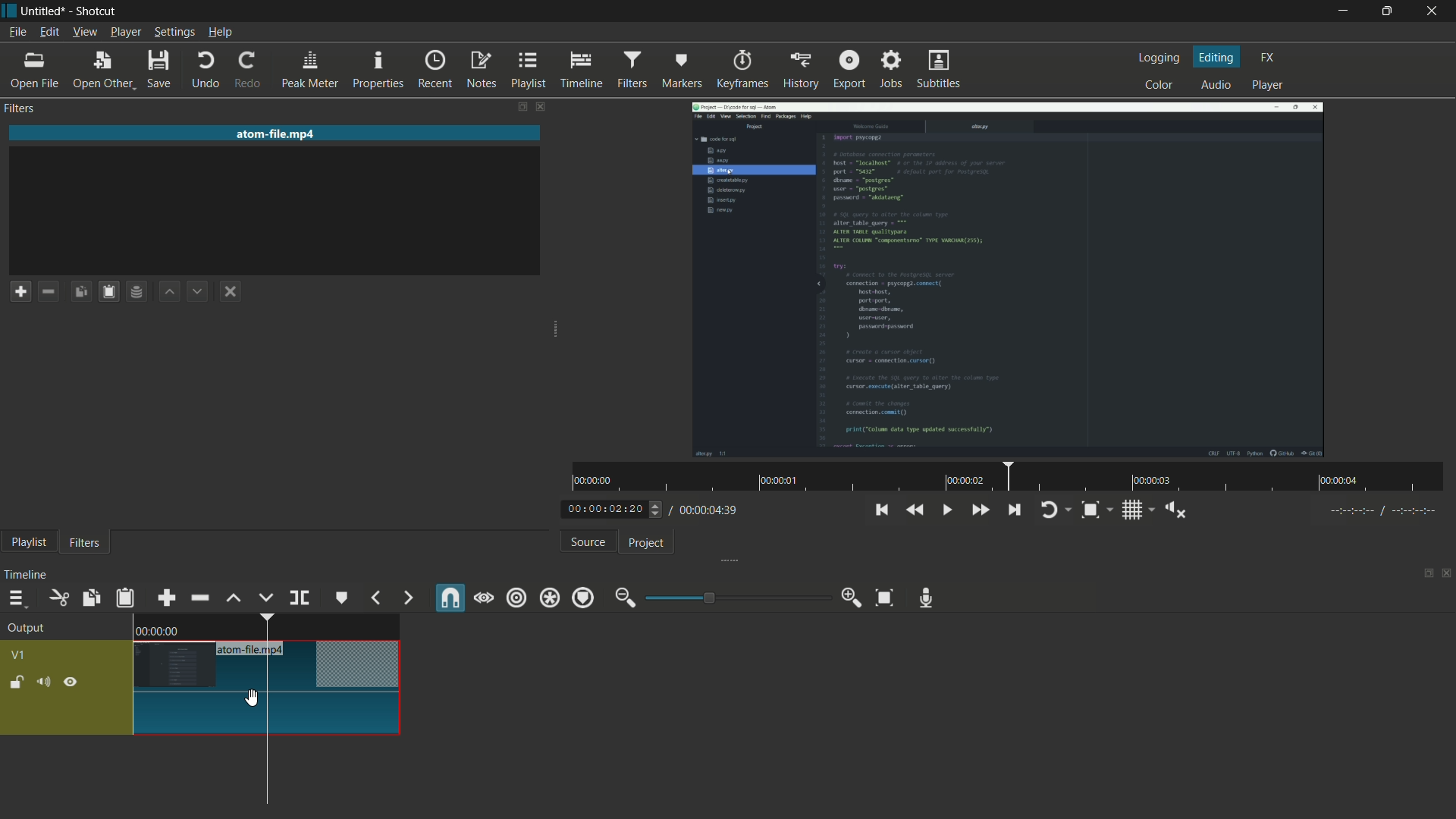  Describe the element at coordinates (1218, 58) in the screenshot. I see `editing` at that location.